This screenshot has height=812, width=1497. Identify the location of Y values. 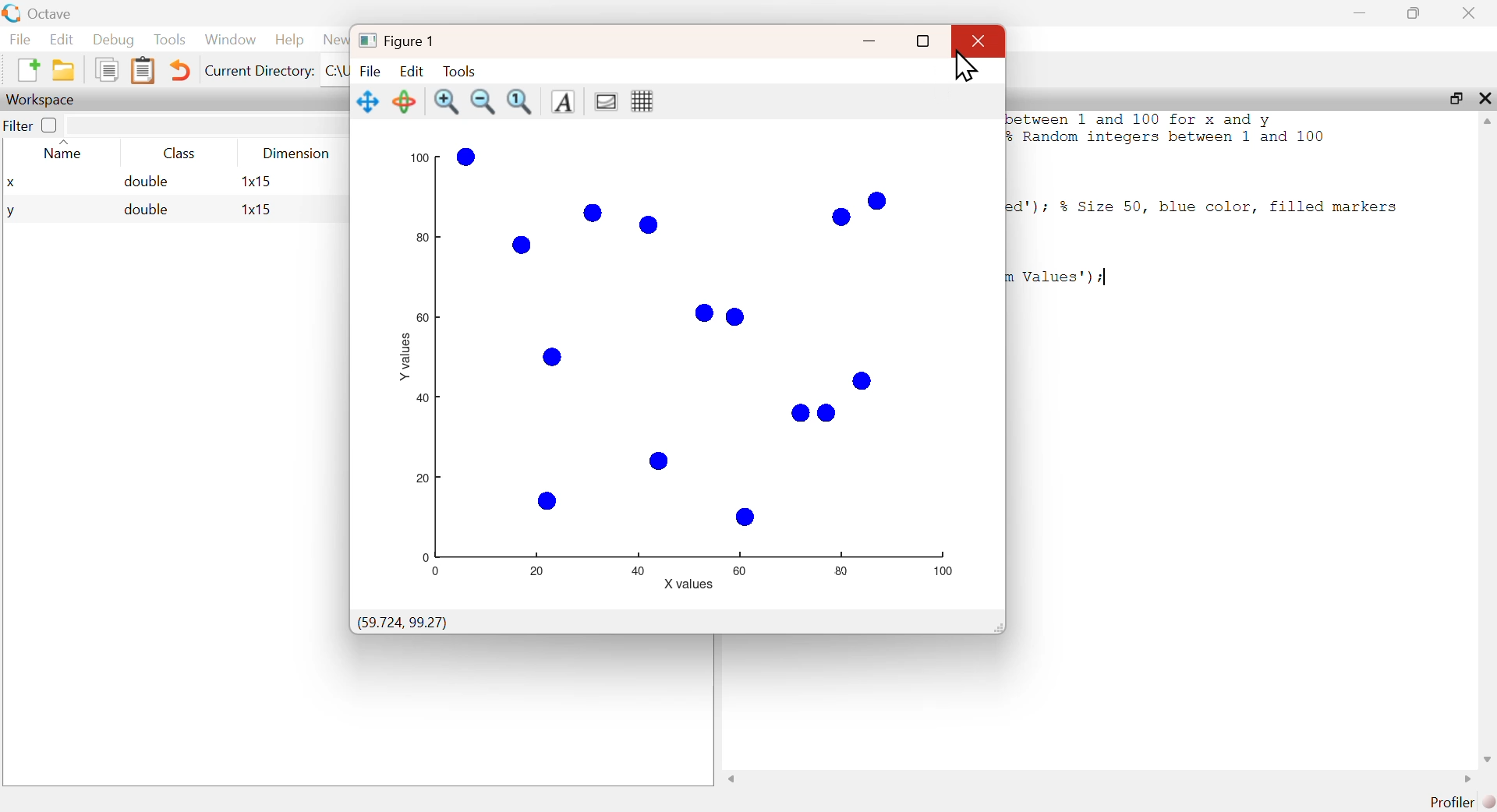
(402, 354).